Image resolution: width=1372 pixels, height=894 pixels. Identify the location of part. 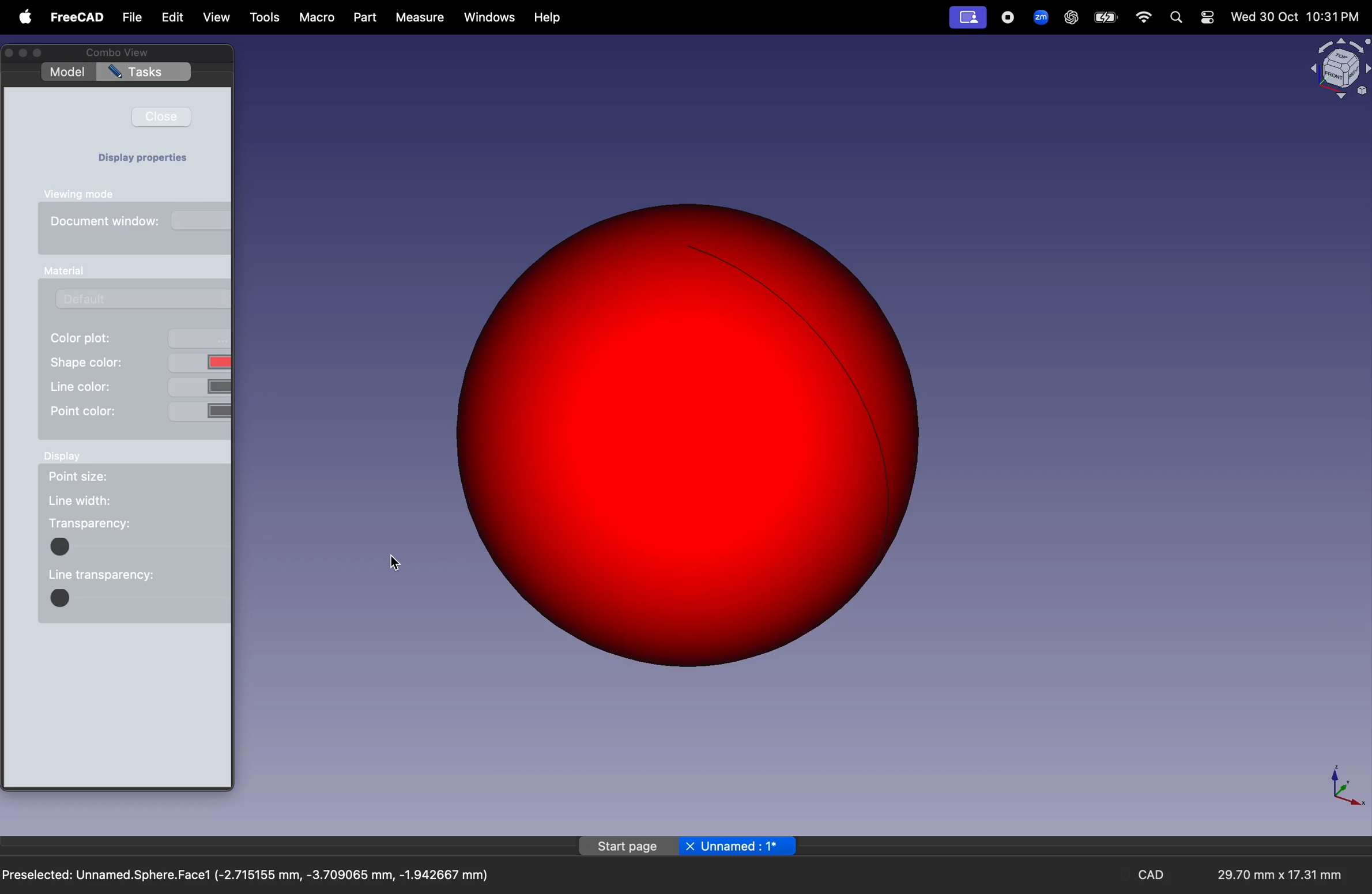
(364, 17).